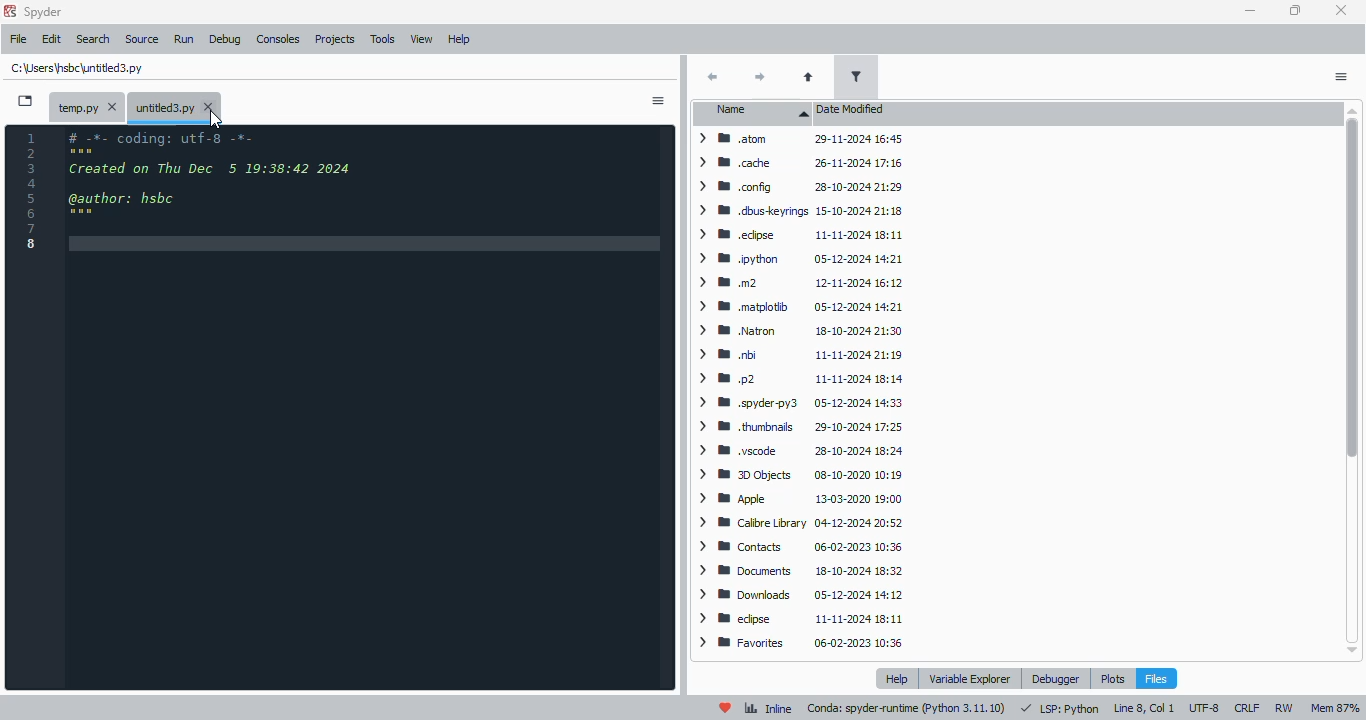  What do you see at coordinates (384, 39) in the screenshot?
I see `tools` at bounding box center [384, 39].